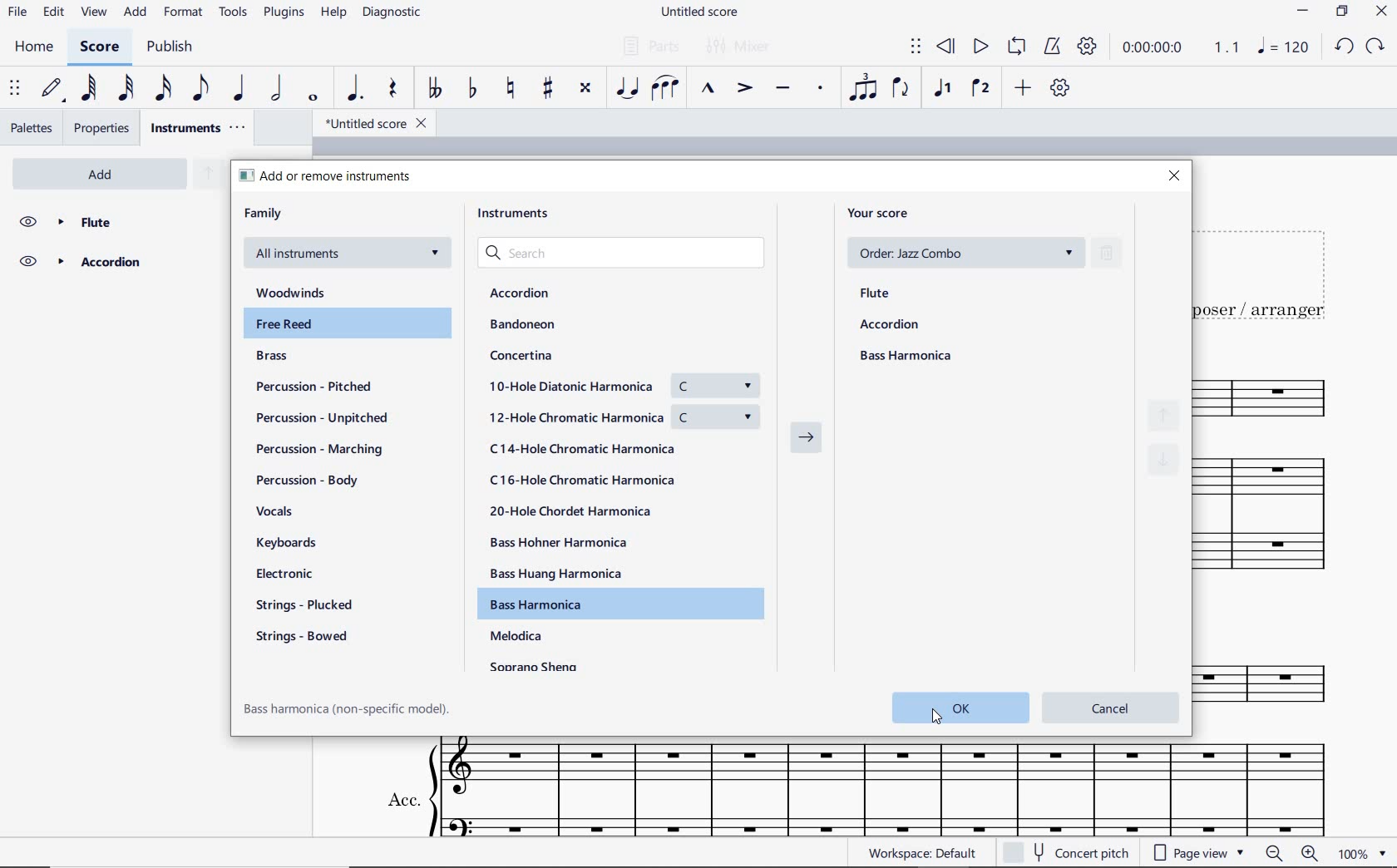  Describe the element at coordinates (95, 12) in the screenshot. I see `VIEW` at that location.